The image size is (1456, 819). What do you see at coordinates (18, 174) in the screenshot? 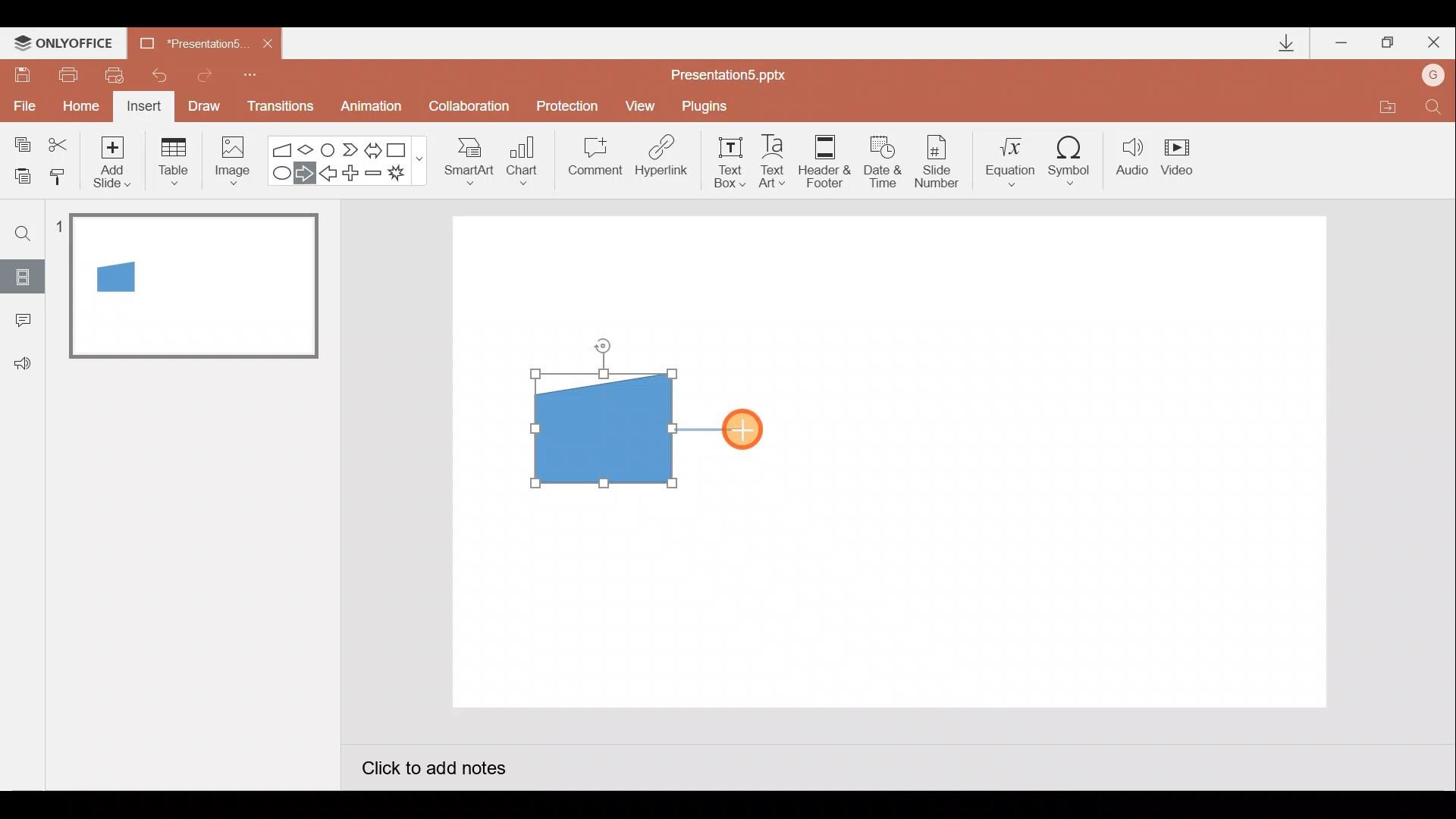
I see `Paste` at bounding box center [18, 174].